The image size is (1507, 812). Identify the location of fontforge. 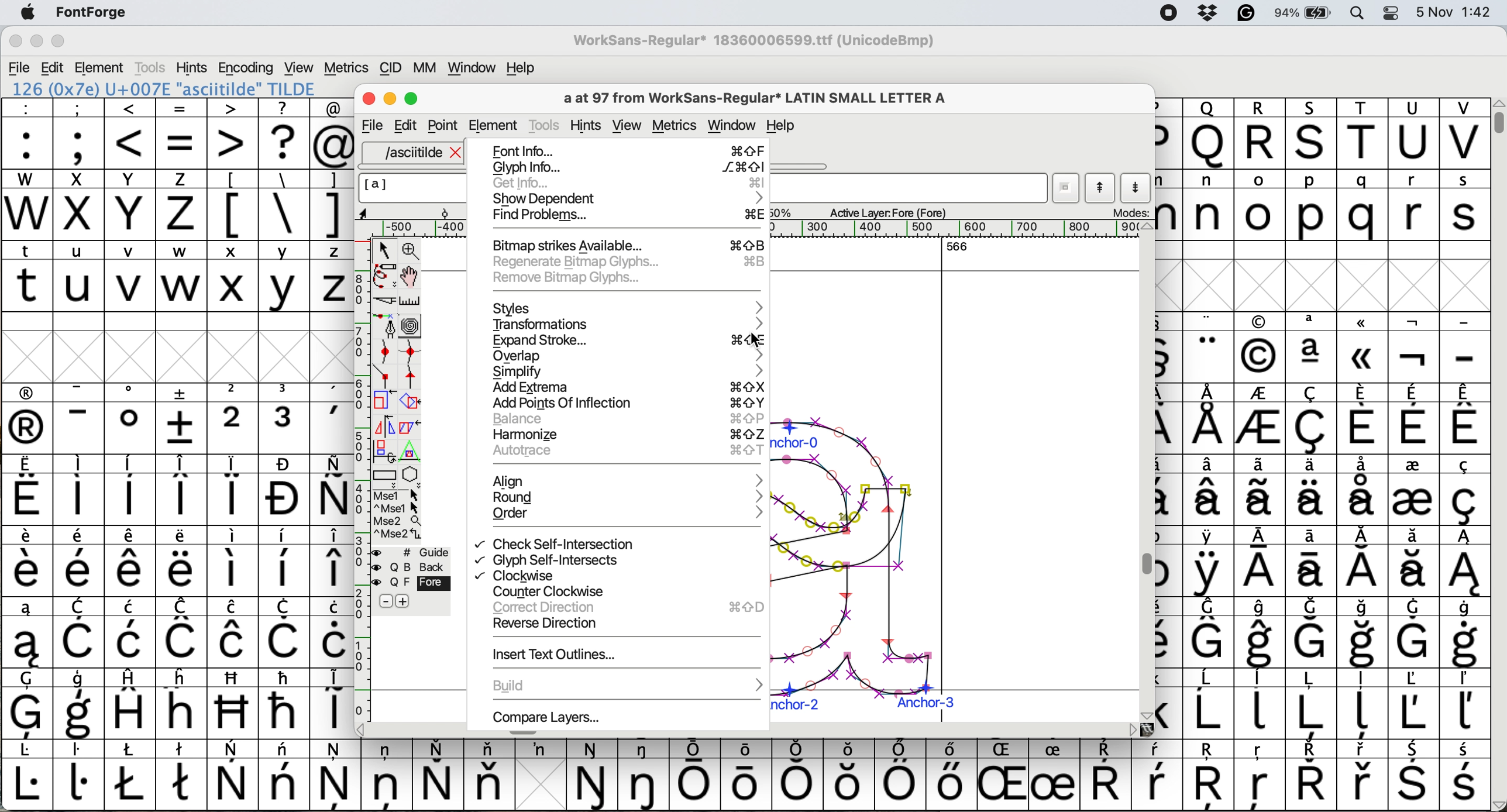
(95, 13).